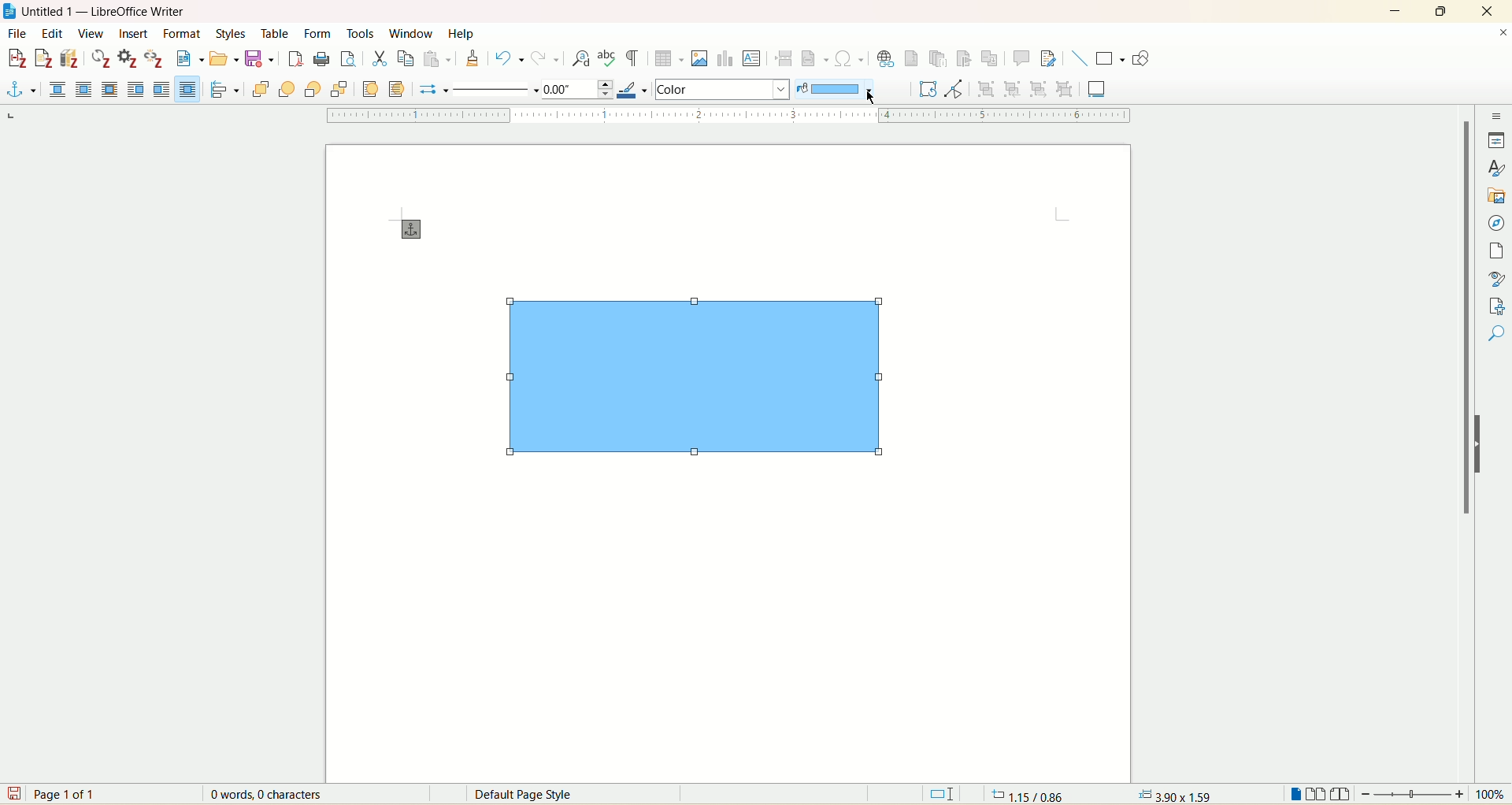  What do you see at coordinates (754, 58) in the screenshot?
I see `insert textbox` at bounding box center [754, 58].